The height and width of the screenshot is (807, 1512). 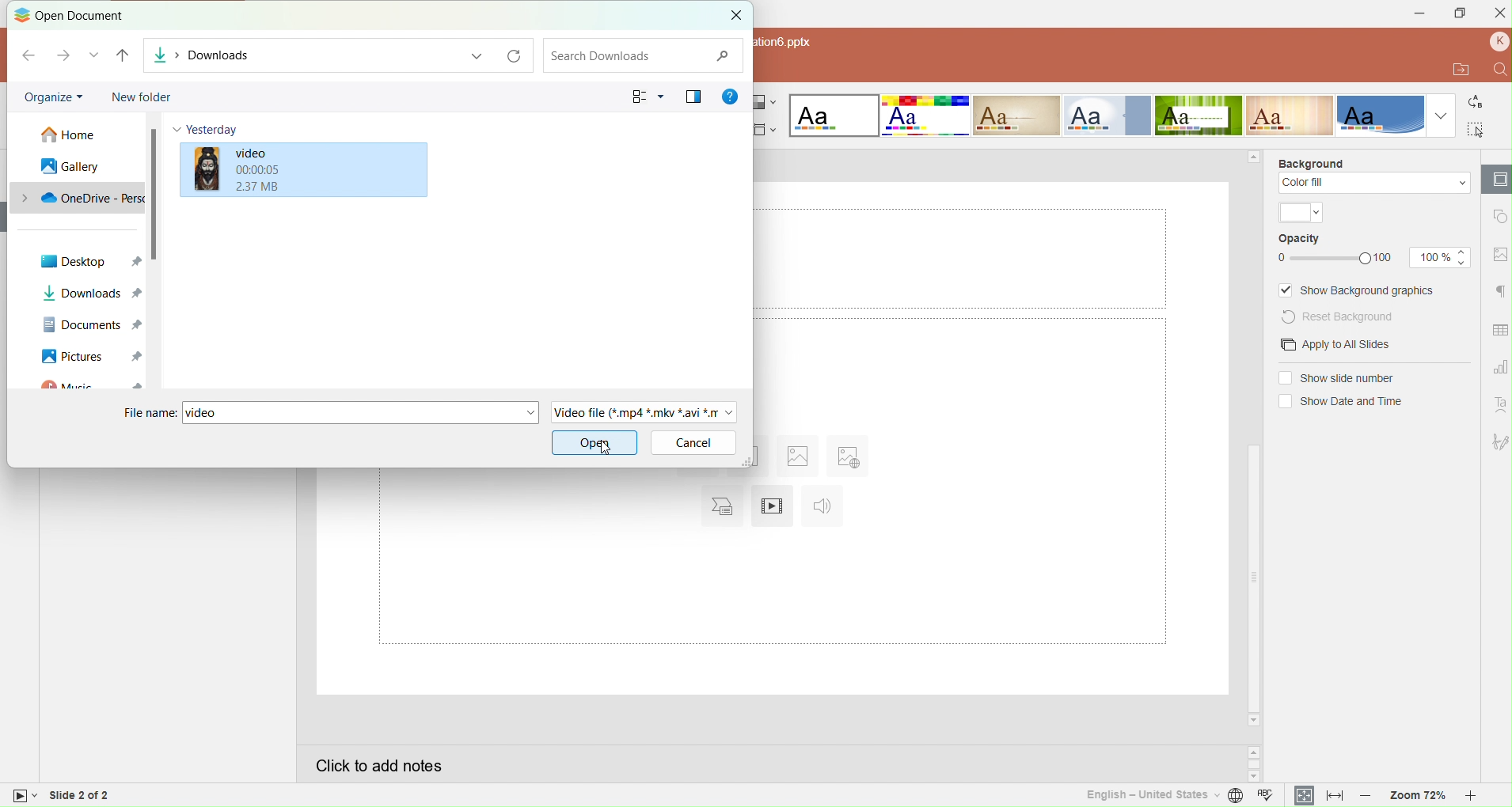 I want to click on Video, so click(x=354, y=169).